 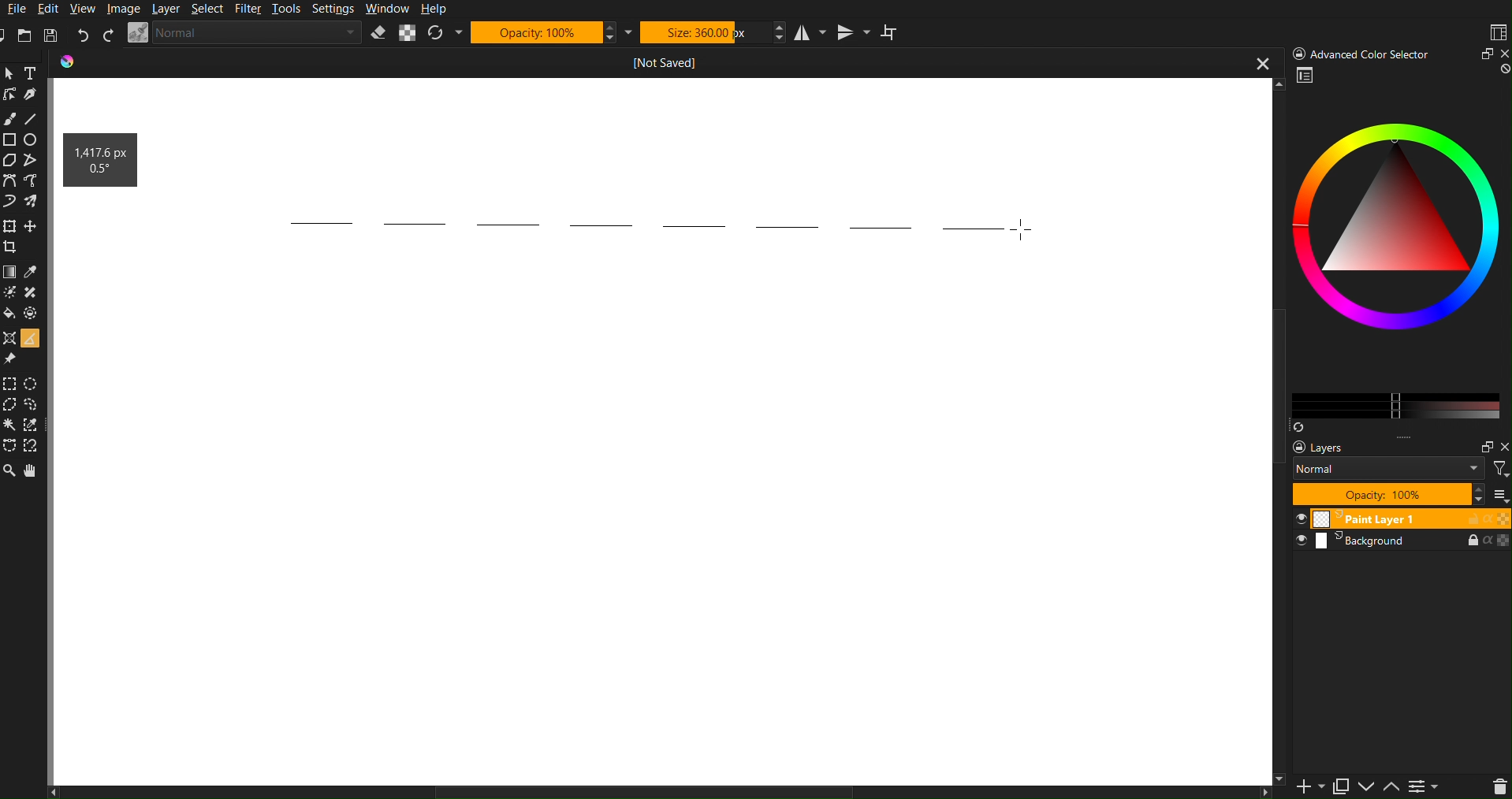 I want to click on Red Eye Fix, so click(x=11, y=200).